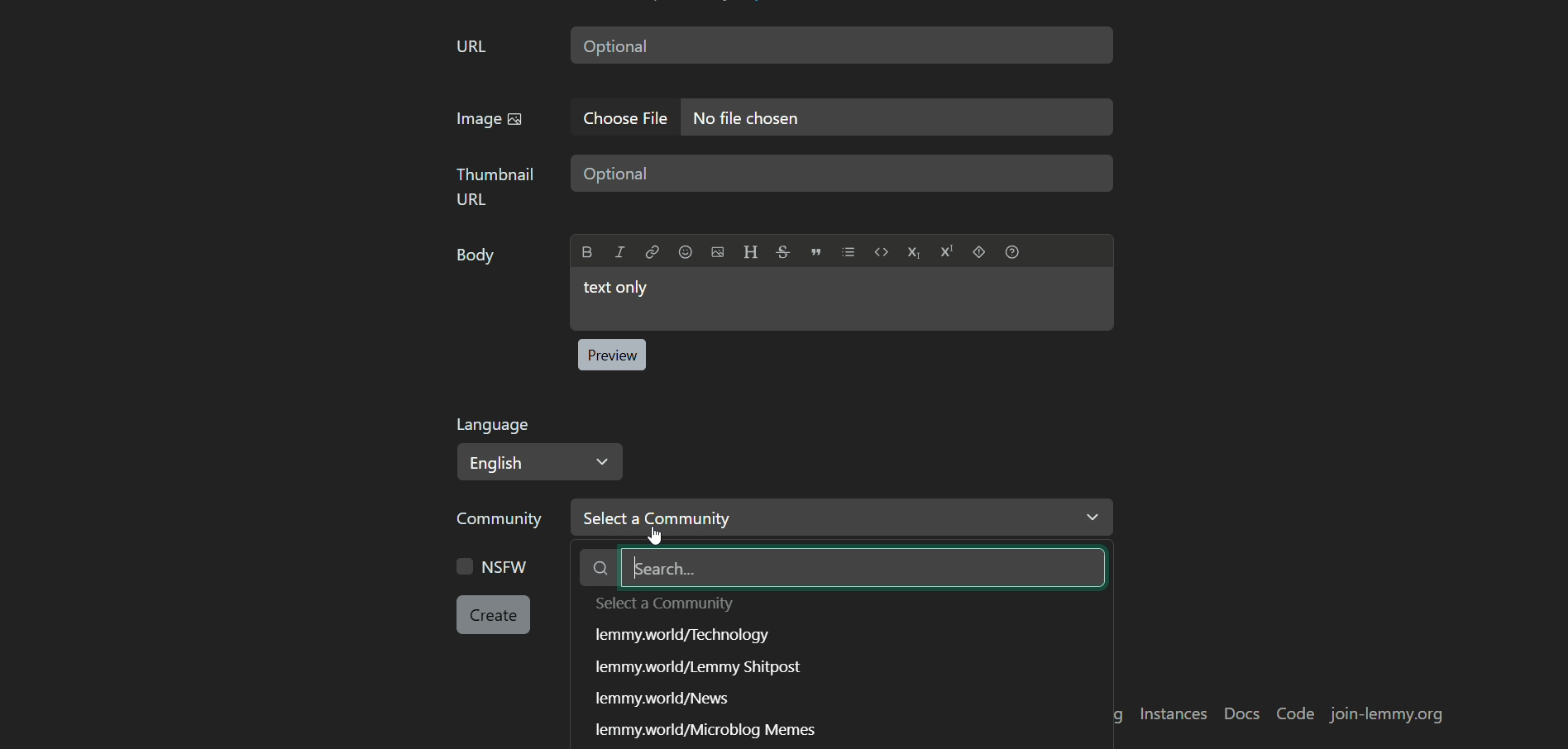 The height and width of the screenshot is (749, 1568). Describe the element at coordinates (882, 251) in the screenshot. I see `Code` at that location.